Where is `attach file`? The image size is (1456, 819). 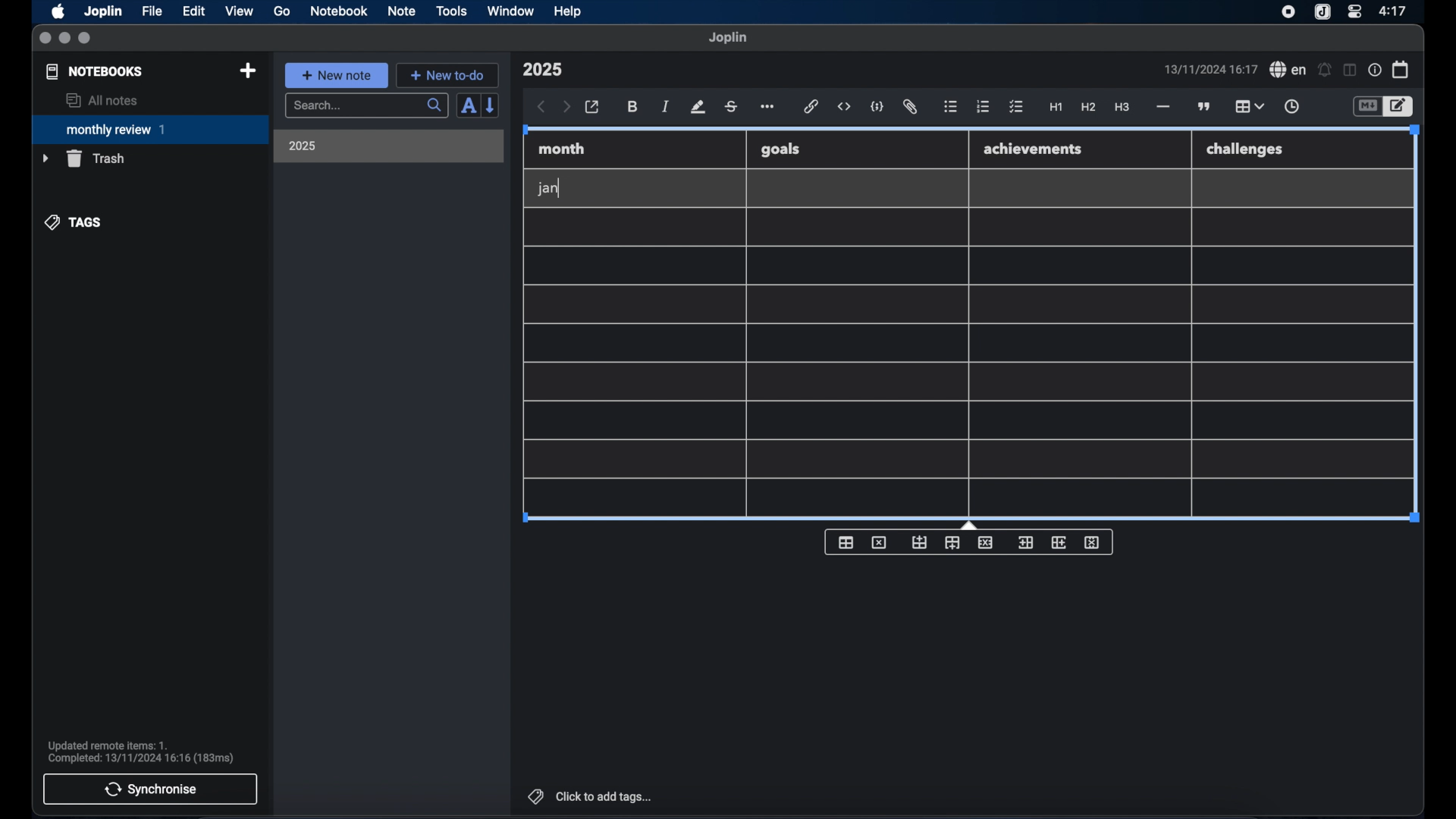 attach file is located at coordinates (910, 107).